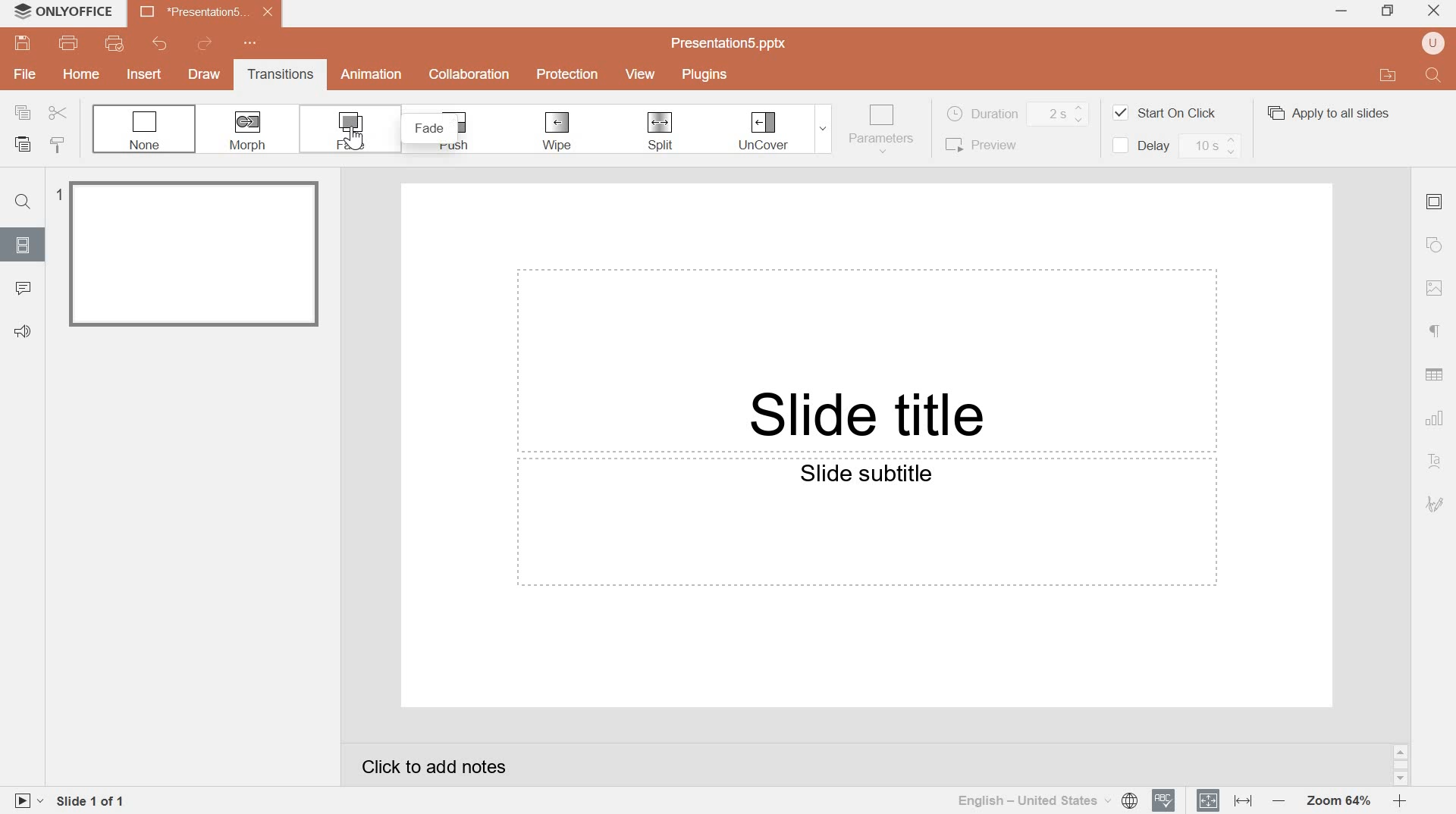  Describe the element at coordinates (866, 360) in the screenshot. I see `Text field` at that location.